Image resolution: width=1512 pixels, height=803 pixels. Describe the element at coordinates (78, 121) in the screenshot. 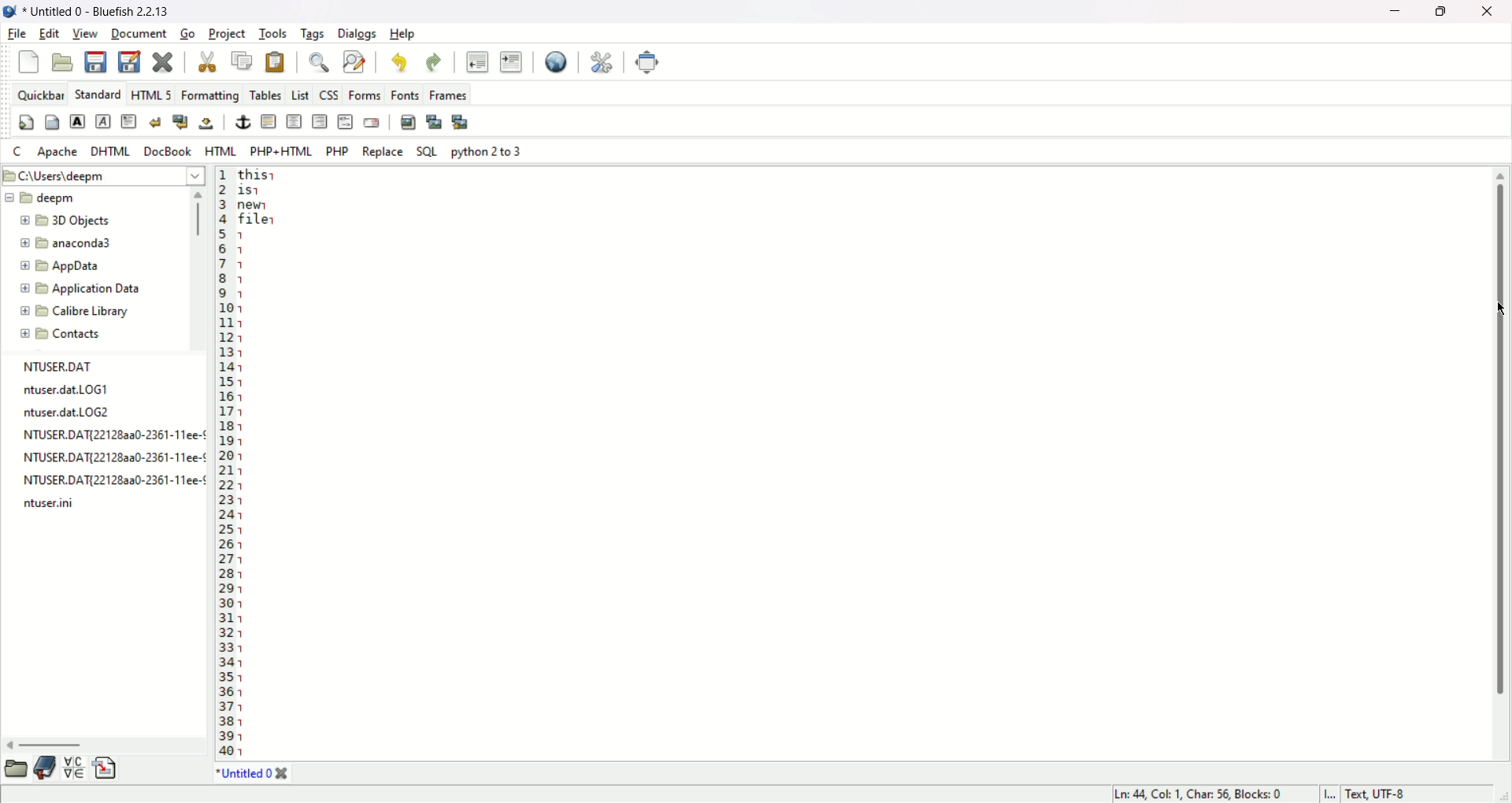

I see `strong` at that location.